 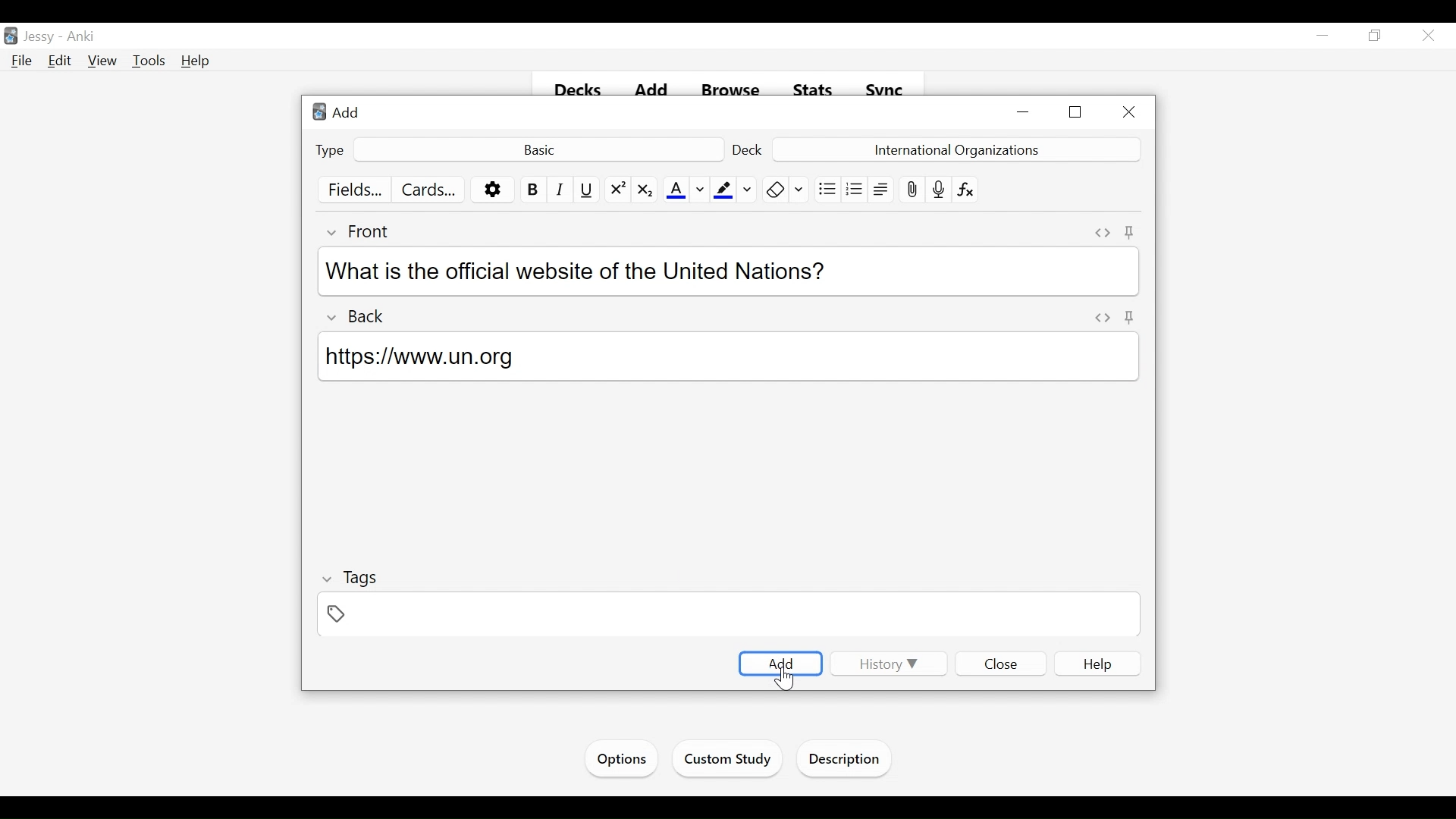 I want to click on Record audio, so click(x=938, y=190).